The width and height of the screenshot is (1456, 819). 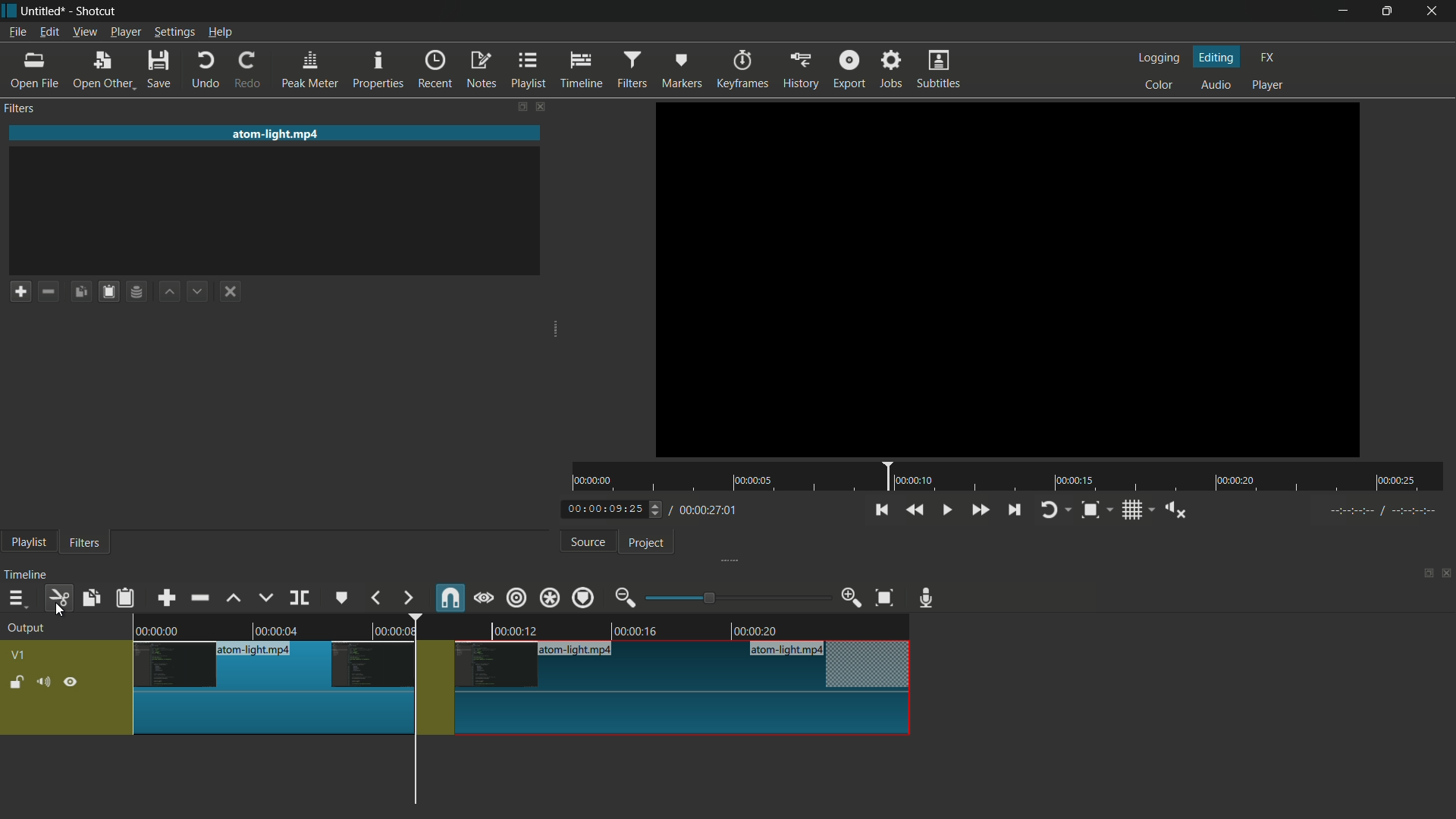 I want to click on move filter down, so click(x=202, y=290).